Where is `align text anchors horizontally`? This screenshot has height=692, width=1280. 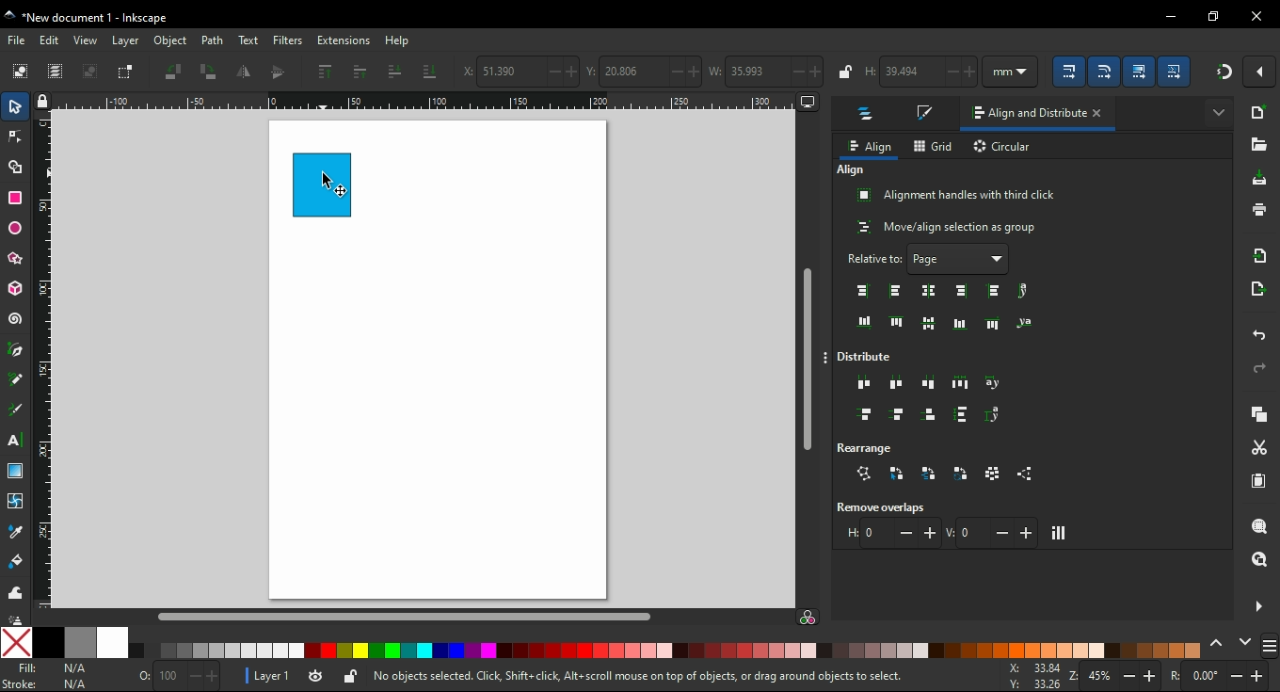
align text anchors horizontally is located at coordinates (1023, 291).